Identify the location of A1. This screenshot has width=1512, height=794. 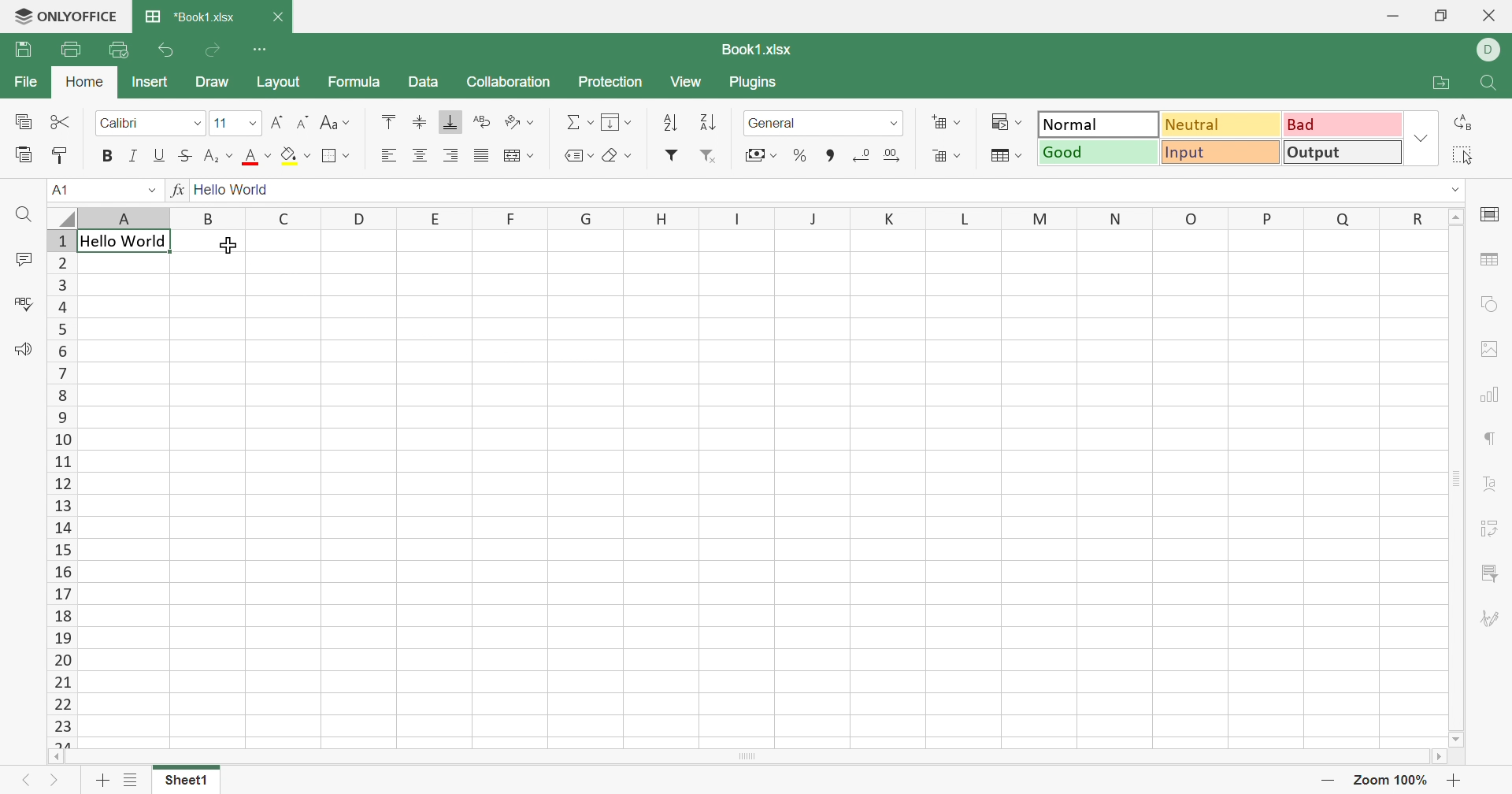
(61, 189).